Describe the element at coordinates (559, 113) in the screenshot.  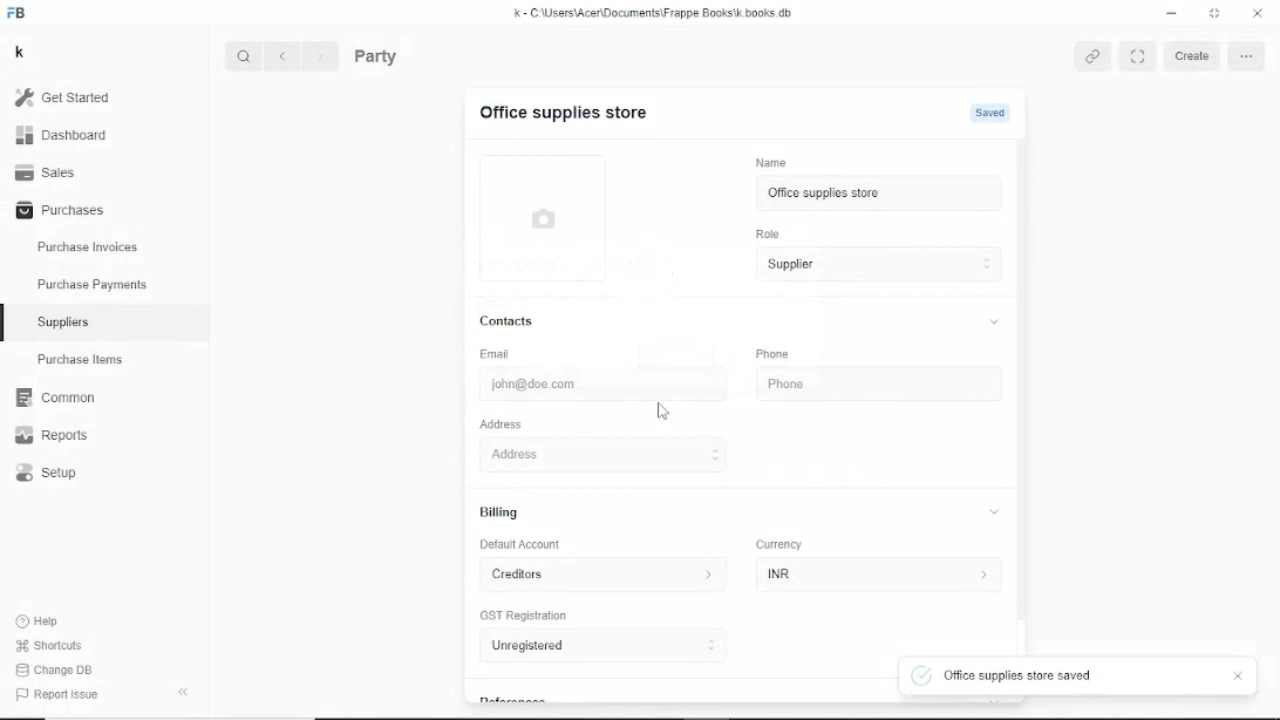
I see `Office supplies store` at that location.